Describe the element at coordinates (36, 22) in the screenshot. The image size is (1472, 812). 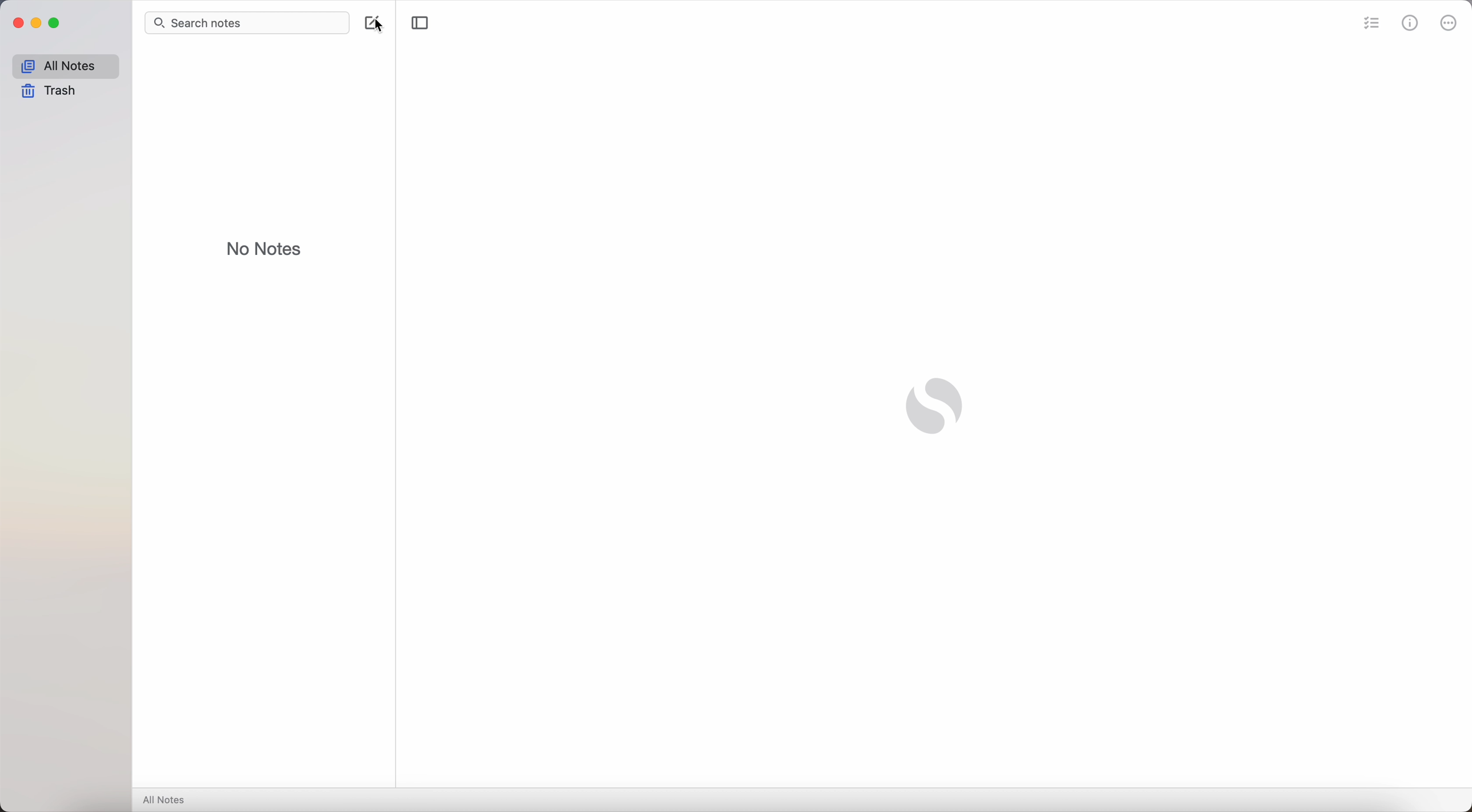
I see `minimize Simplenote` at that location.